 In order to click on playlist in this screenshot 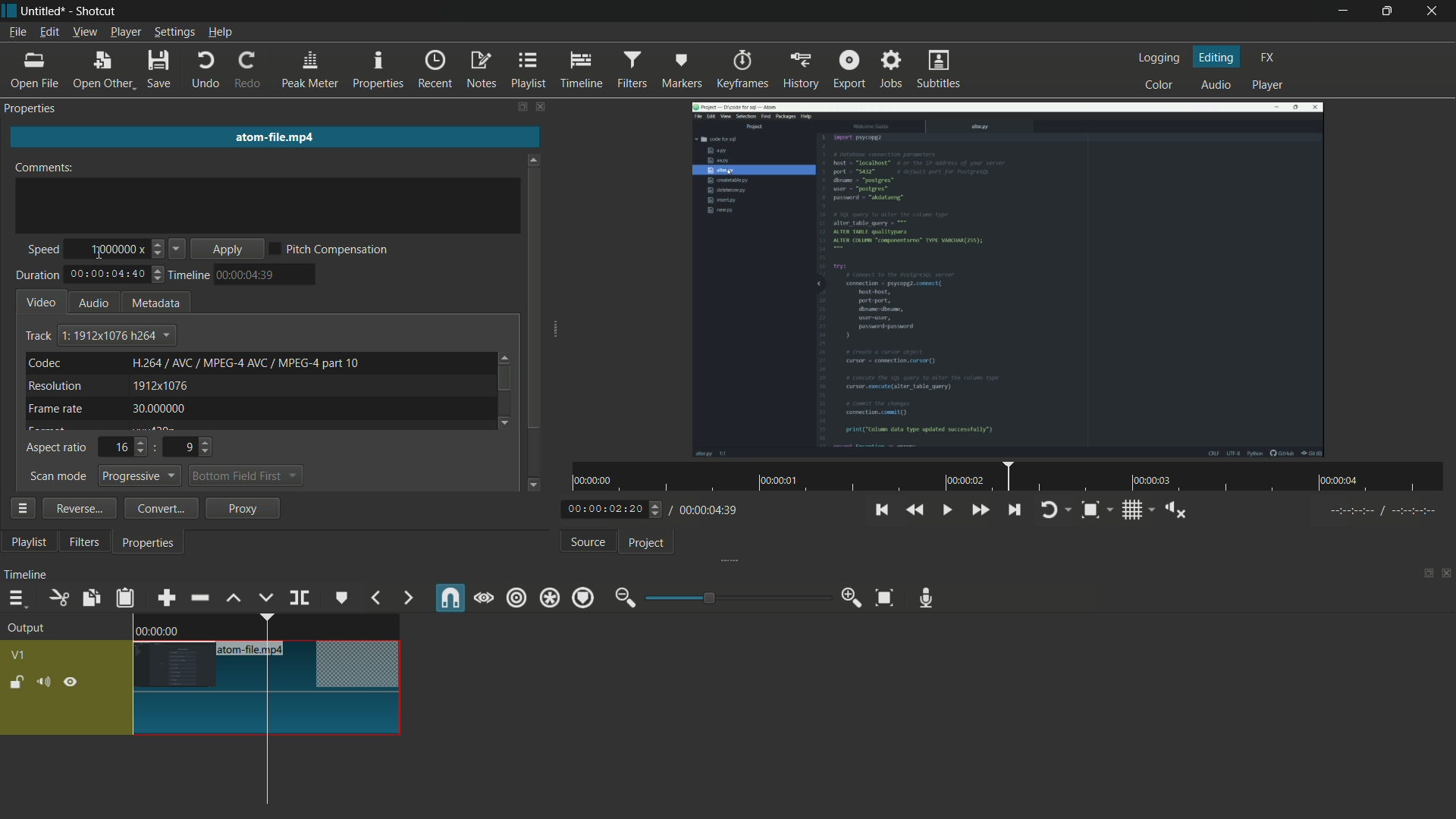, I will do `click(527, 71)`.